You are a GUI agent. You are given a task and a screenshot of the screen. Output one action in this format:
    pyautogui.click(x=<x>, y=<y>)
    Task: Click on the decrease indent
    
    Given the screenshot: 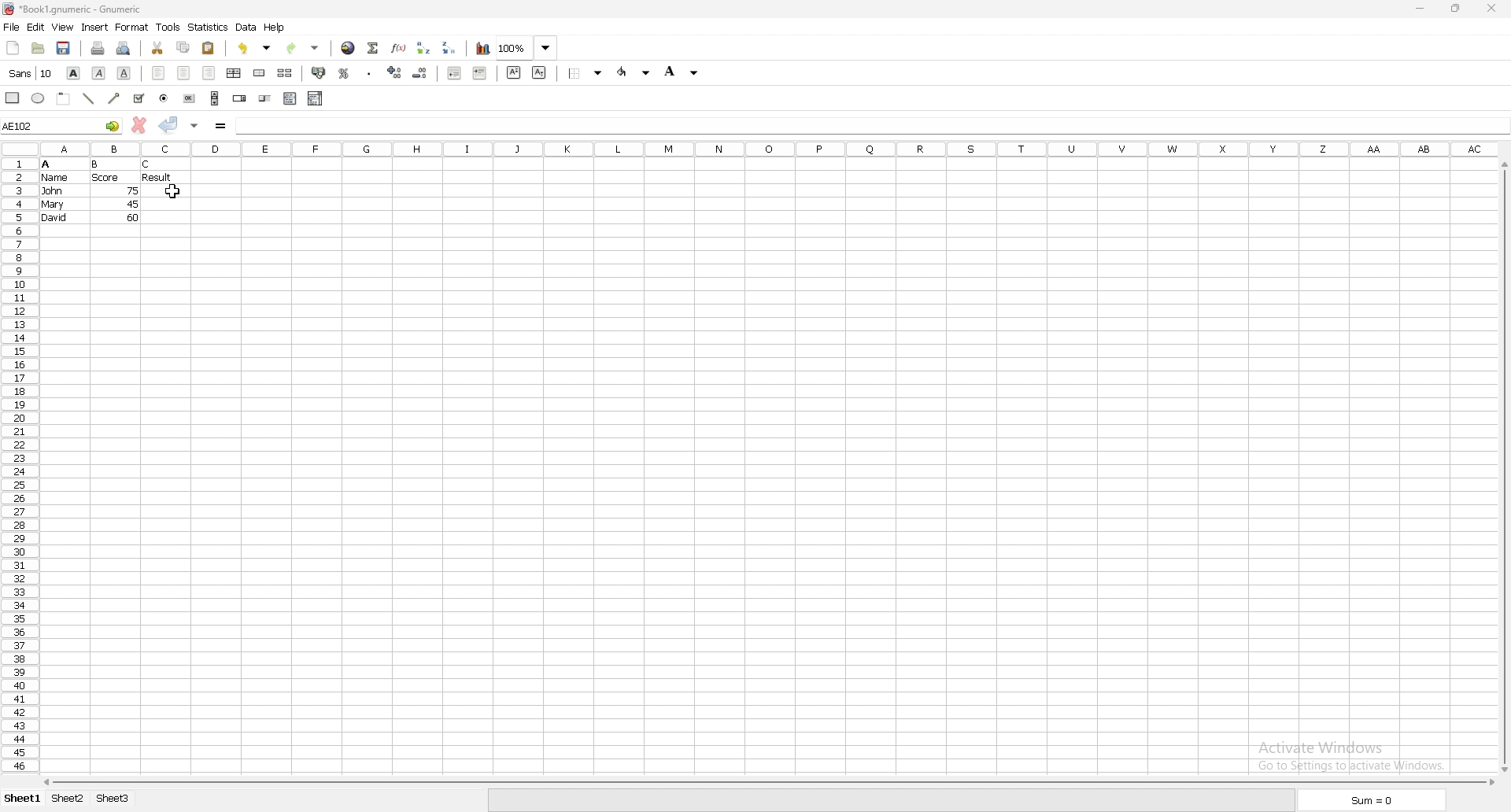 What is the action you would take?
    pyautogui.click(x=454, y=72)
    